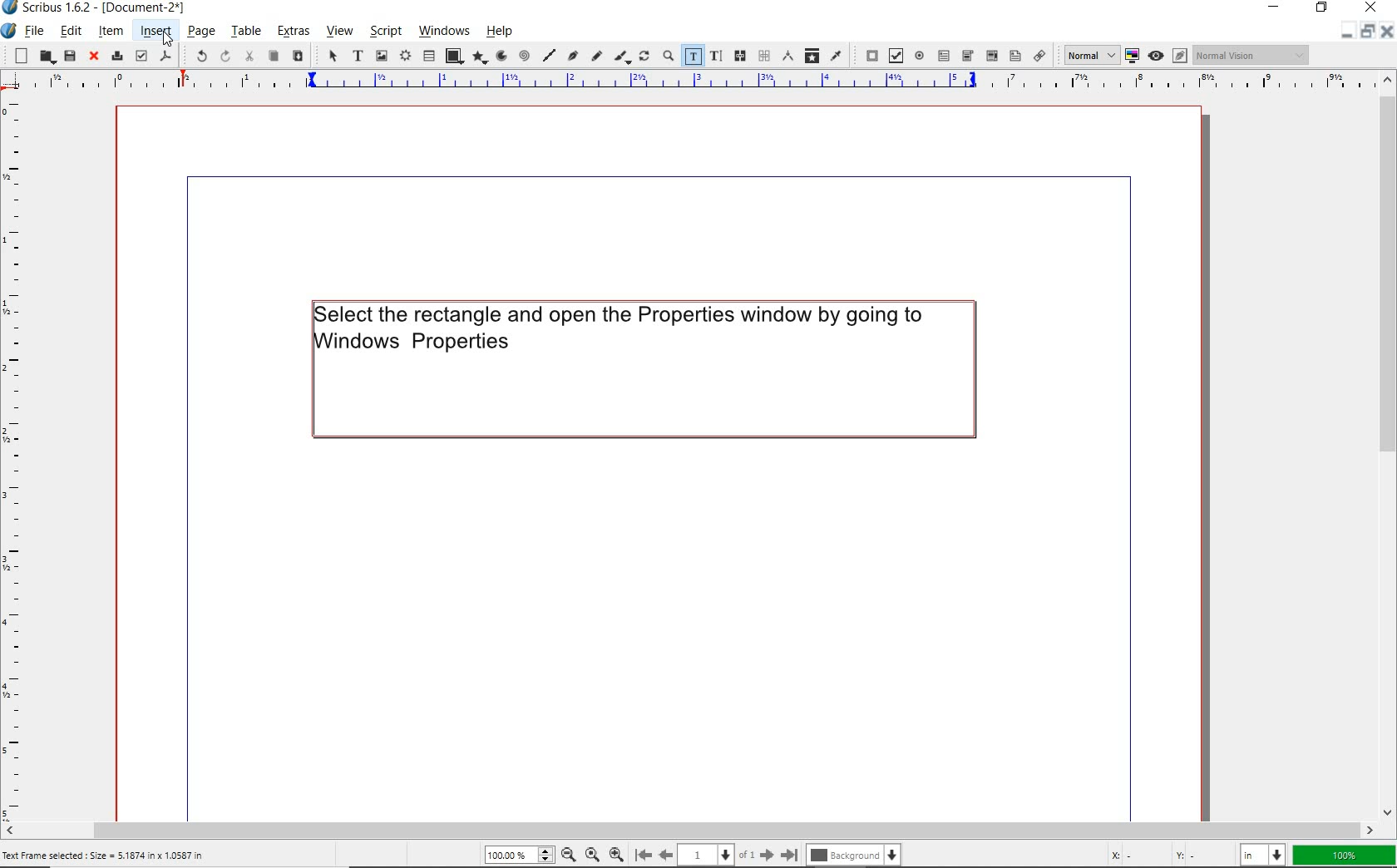 Image resolution: width=1397 pixels, height=868 pixels. What do you see at coordinates (428, 57) in the screenshot?
I see `table` at bounding box center [428, 57].